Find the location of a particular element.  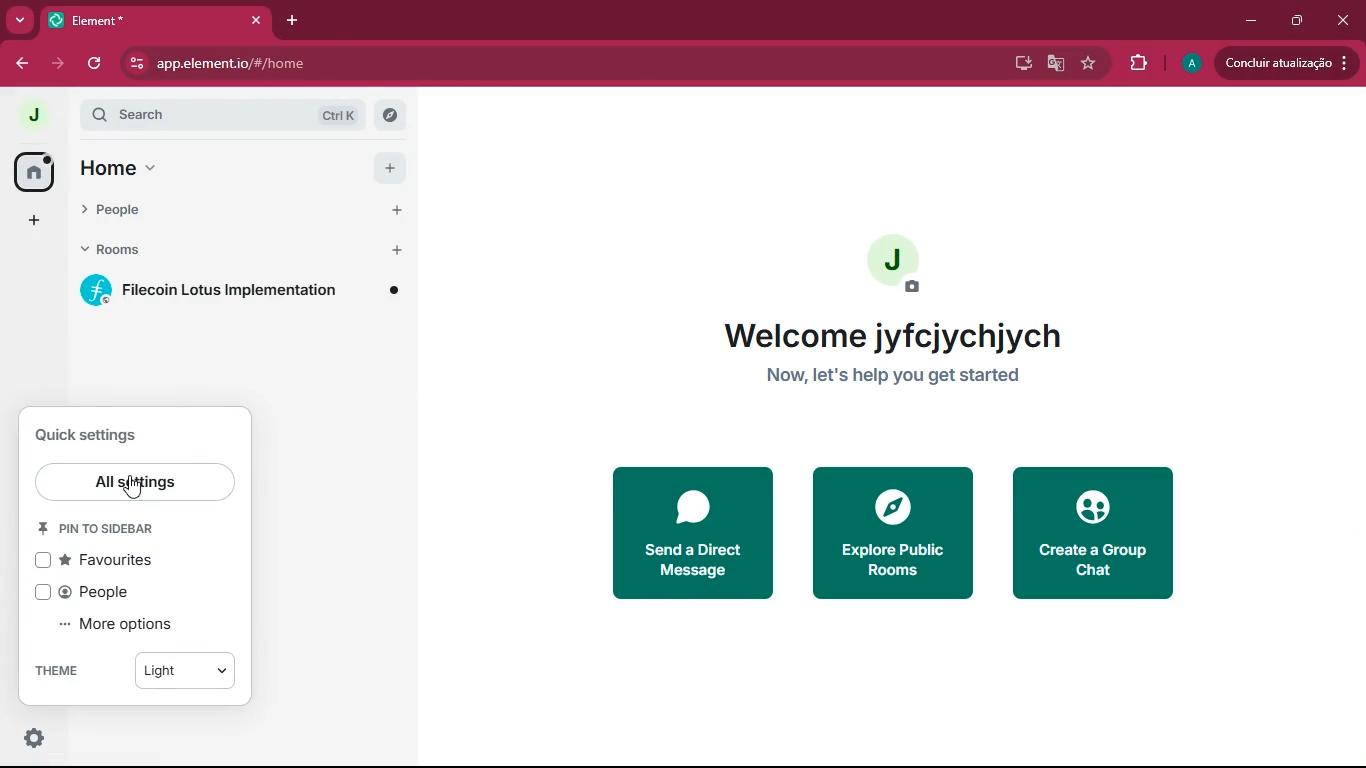

extensions is located at coordinates (1139, 64).